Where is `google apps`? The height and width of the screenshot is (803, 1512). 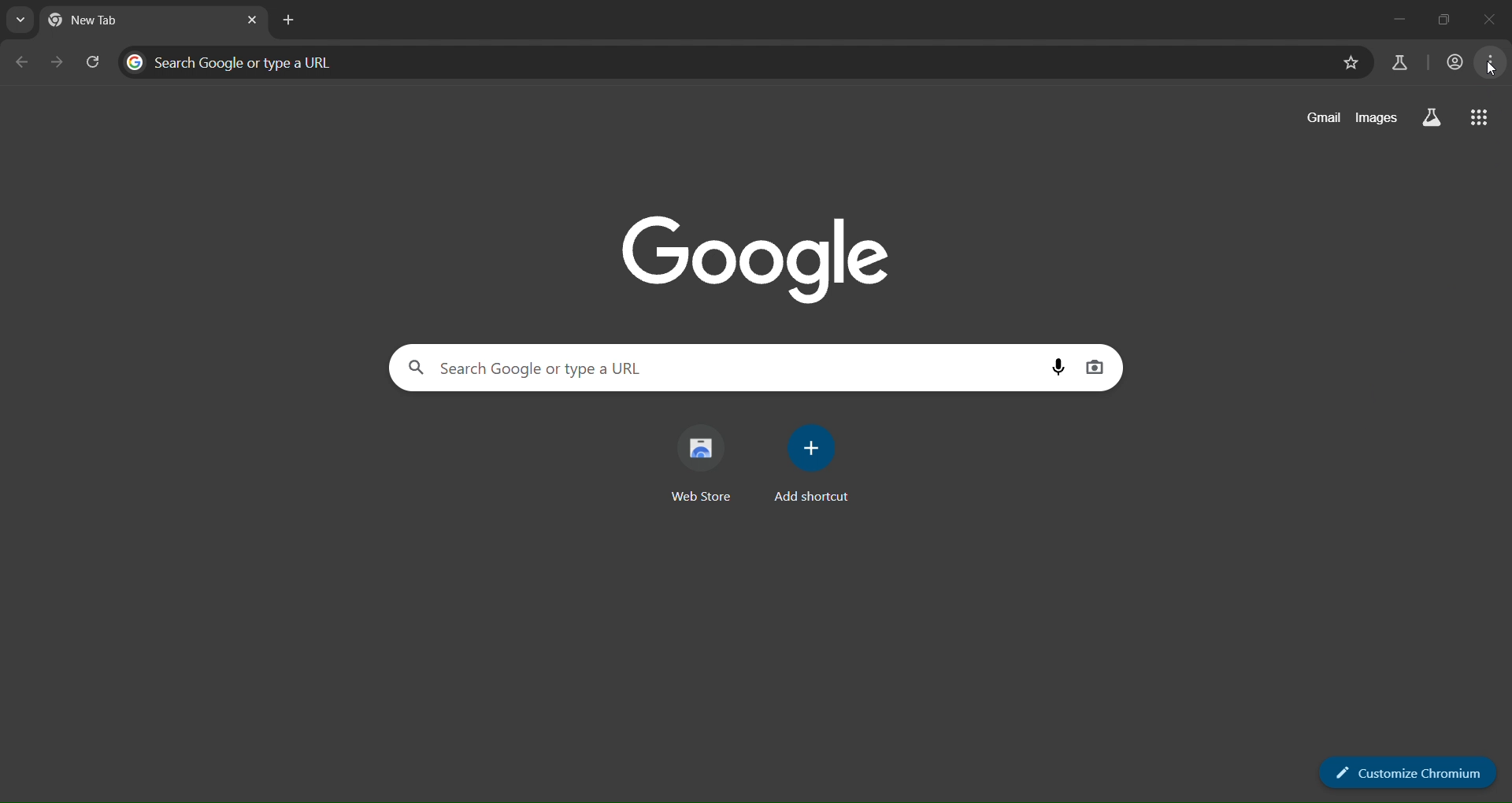
google apps is located at coordinates (1478, 120).